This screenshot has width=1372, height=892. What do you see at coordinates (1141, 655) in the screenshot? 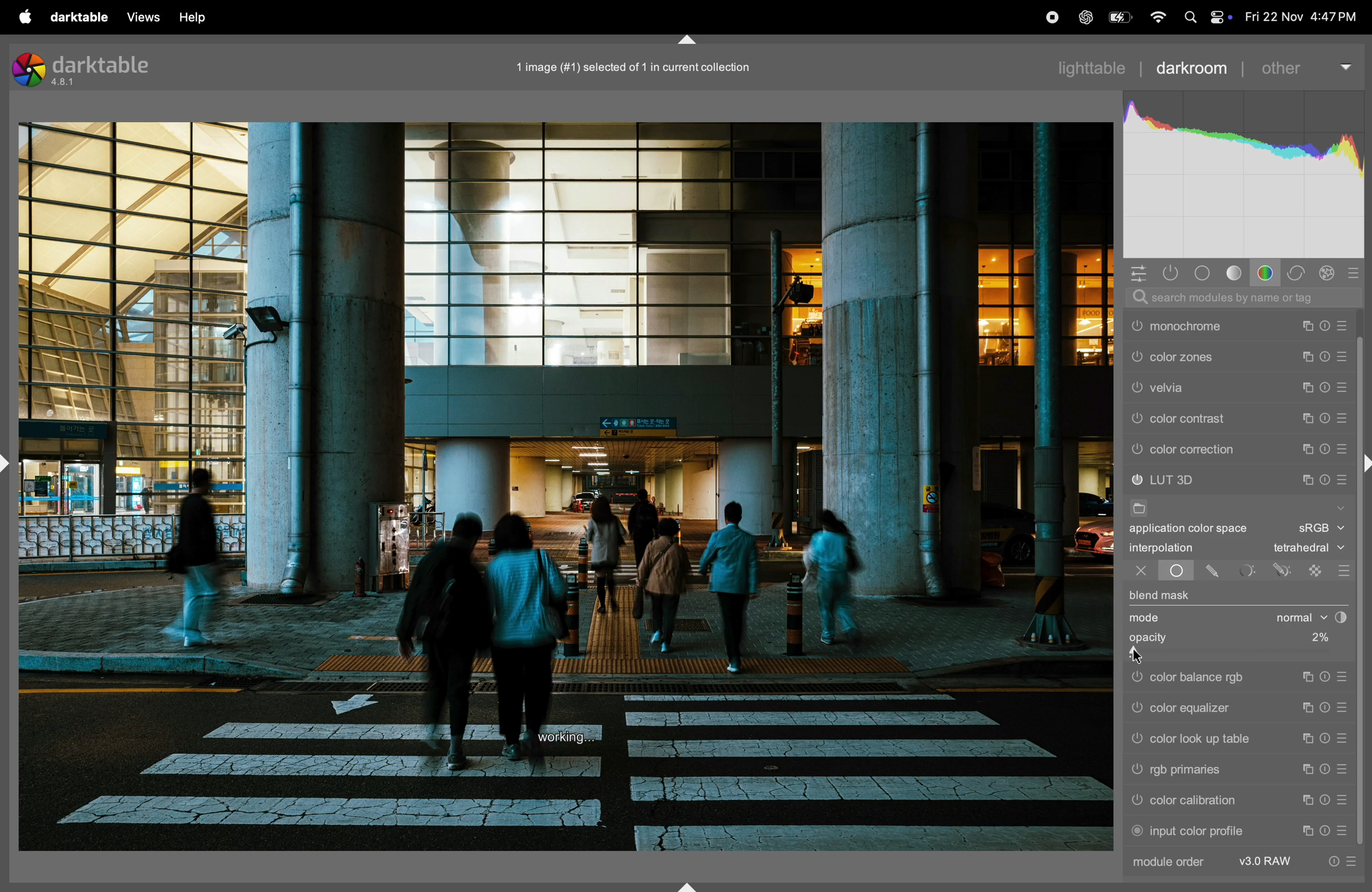
I see `cursor` at bounding box center [1141, 655].